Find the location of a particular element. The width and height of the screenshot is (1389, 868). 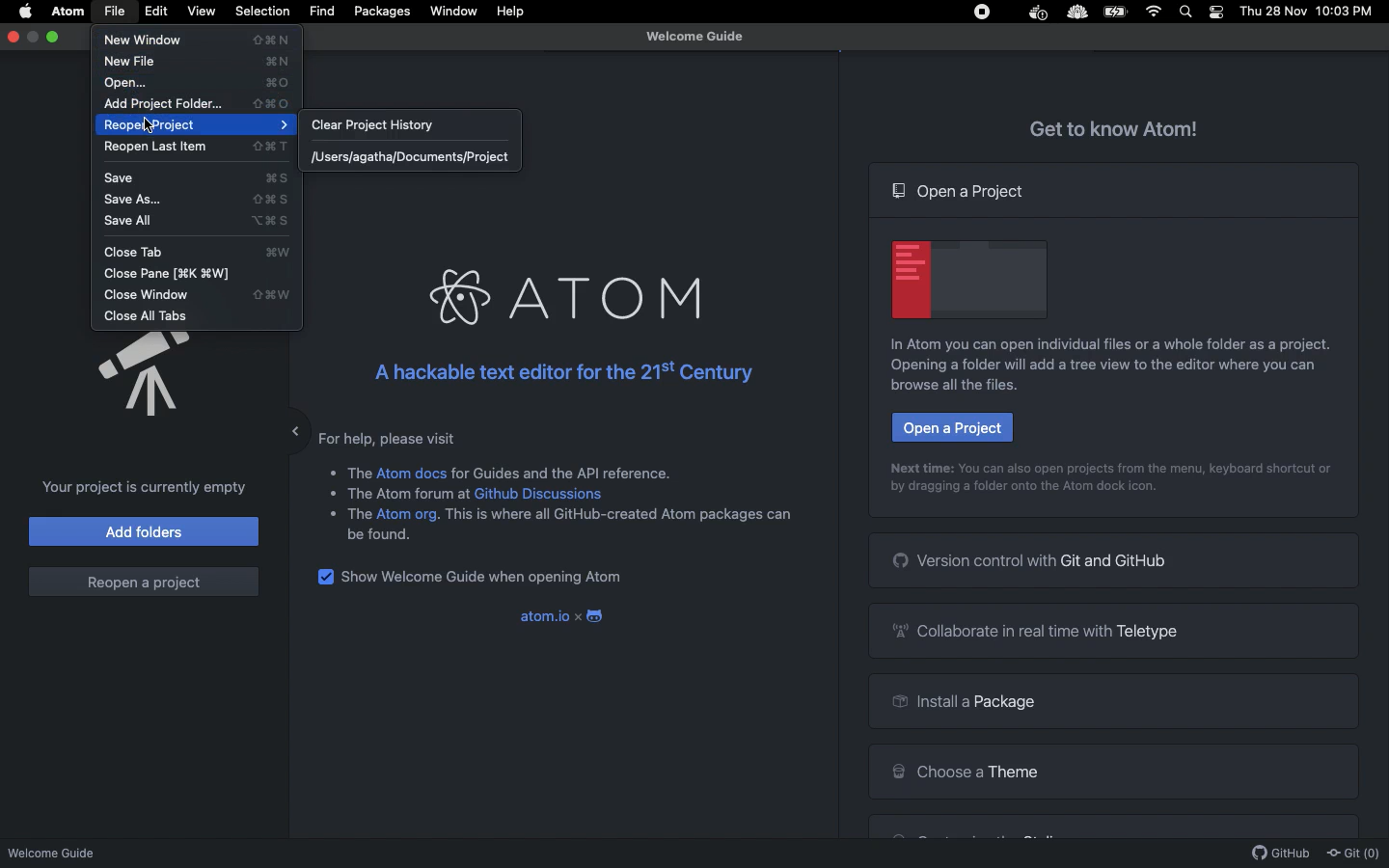

 is located at coordinates (360, 470).